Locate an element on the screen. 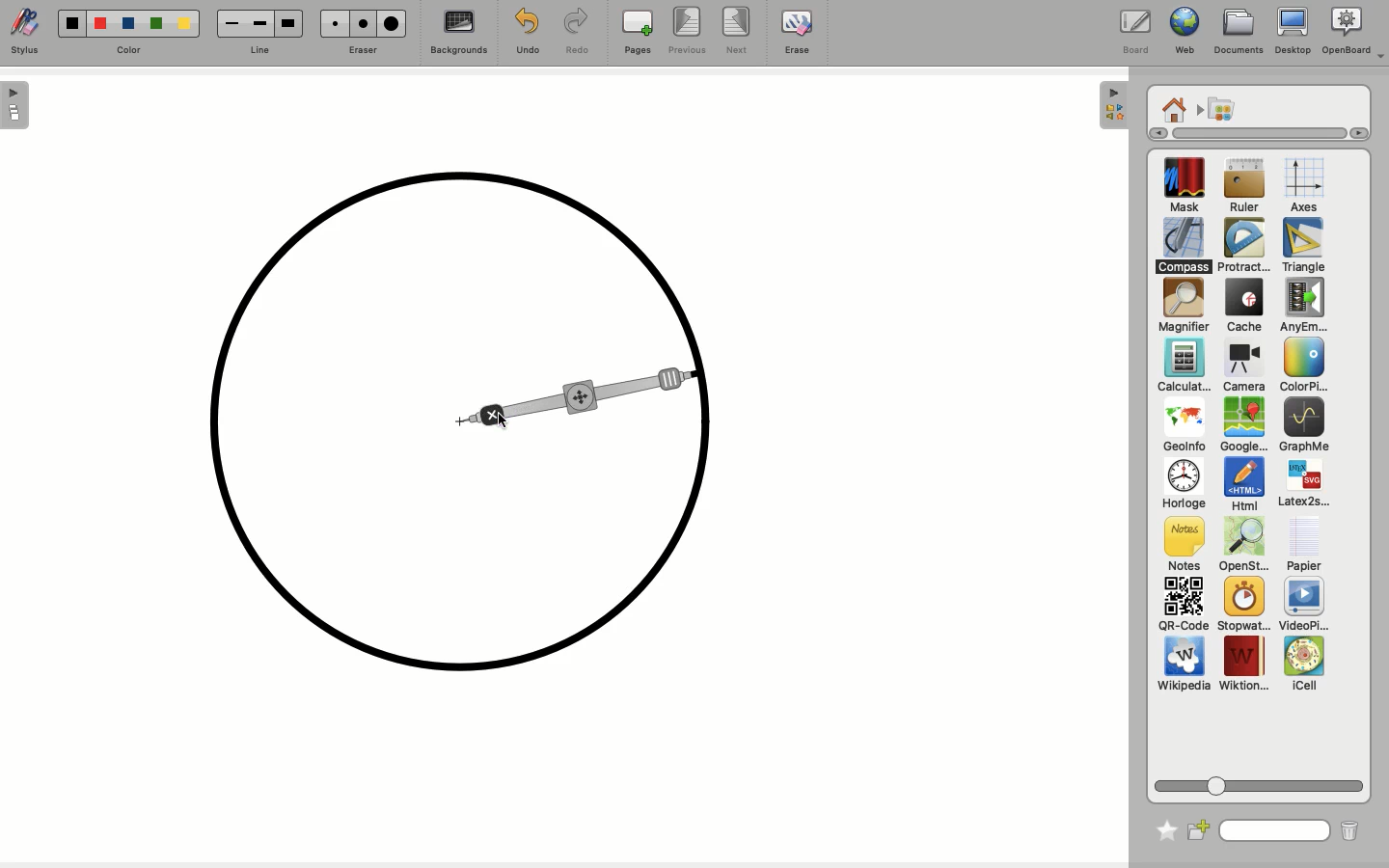  OpenSt is located at coordinates (1239, 547).